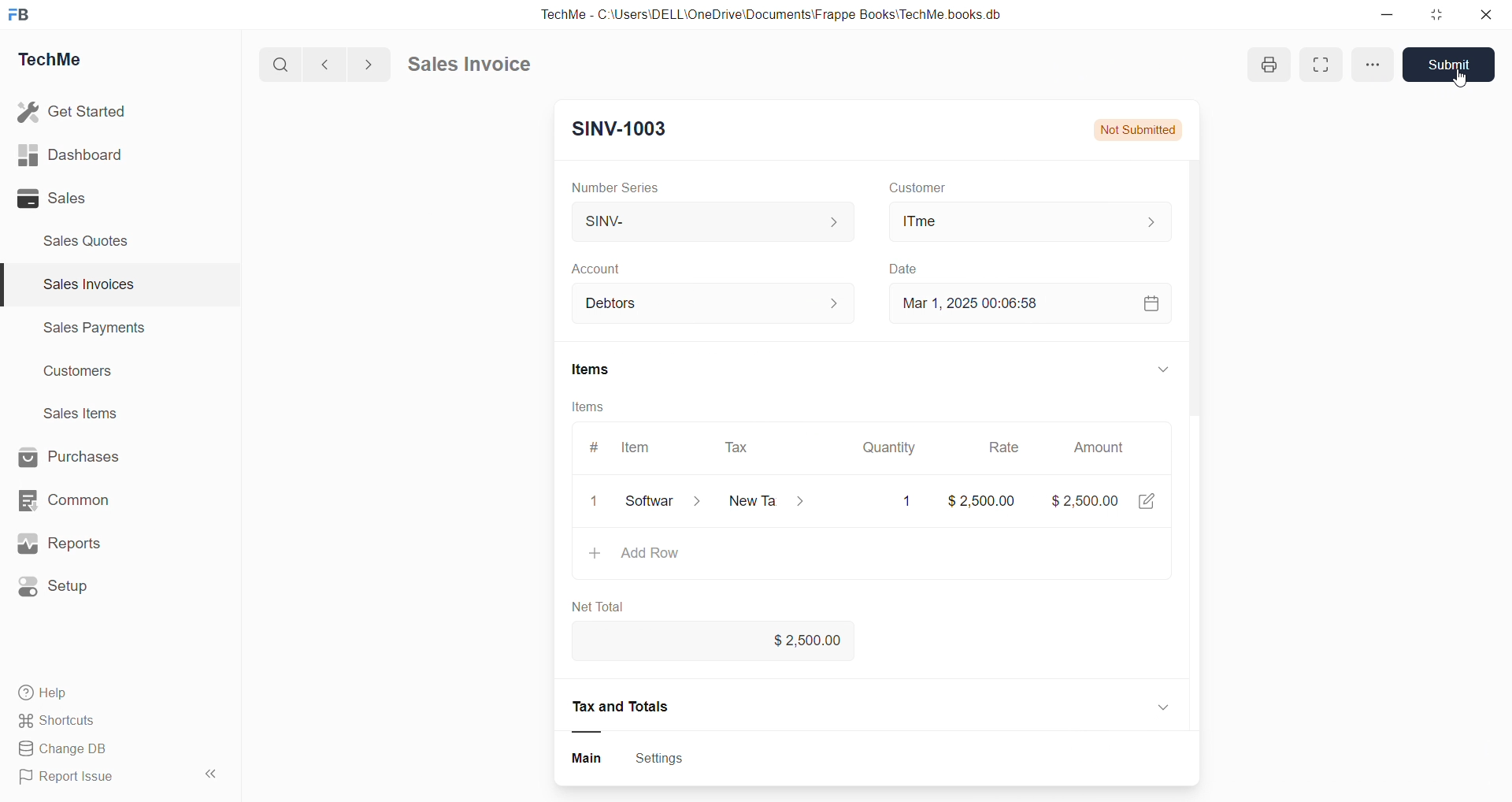 The image size is (1512, 802). I want to click on 1, so click(908, 501).